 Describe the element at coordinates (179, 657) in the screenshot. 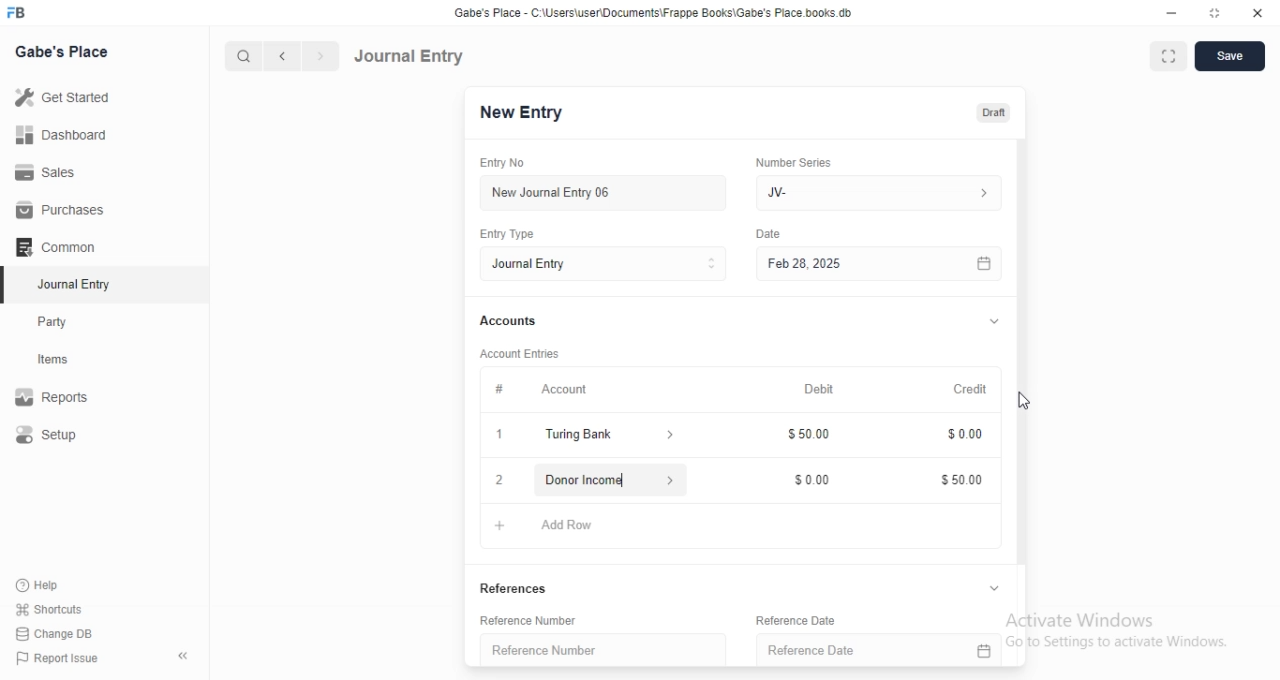

I see `hide` at that location.